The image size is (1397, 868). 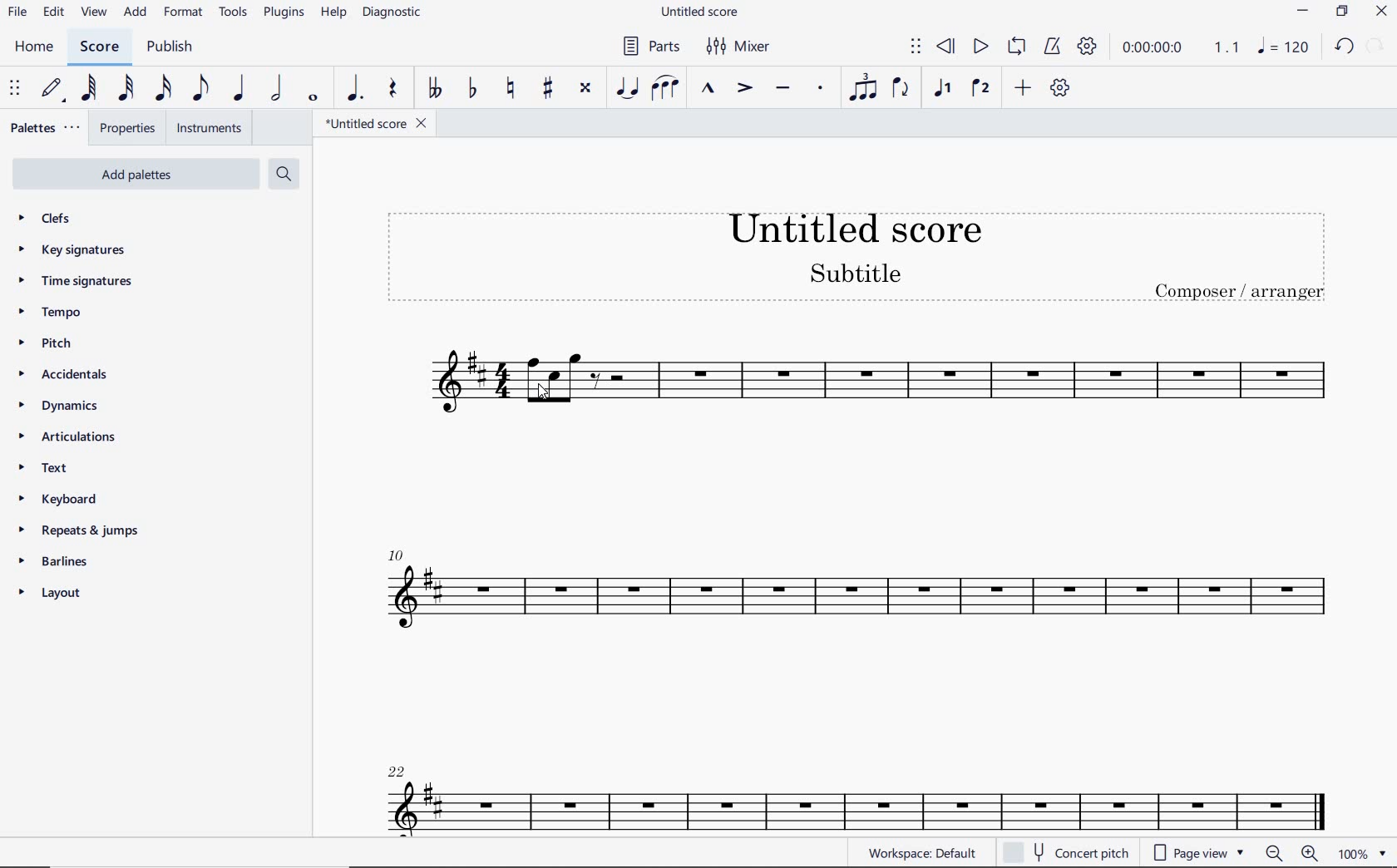 What do you see at coordinates (1062, 89) in the screenshot?
I see `CUSTOMIZE TOOLBAR` at bounding box center [1062, 89].